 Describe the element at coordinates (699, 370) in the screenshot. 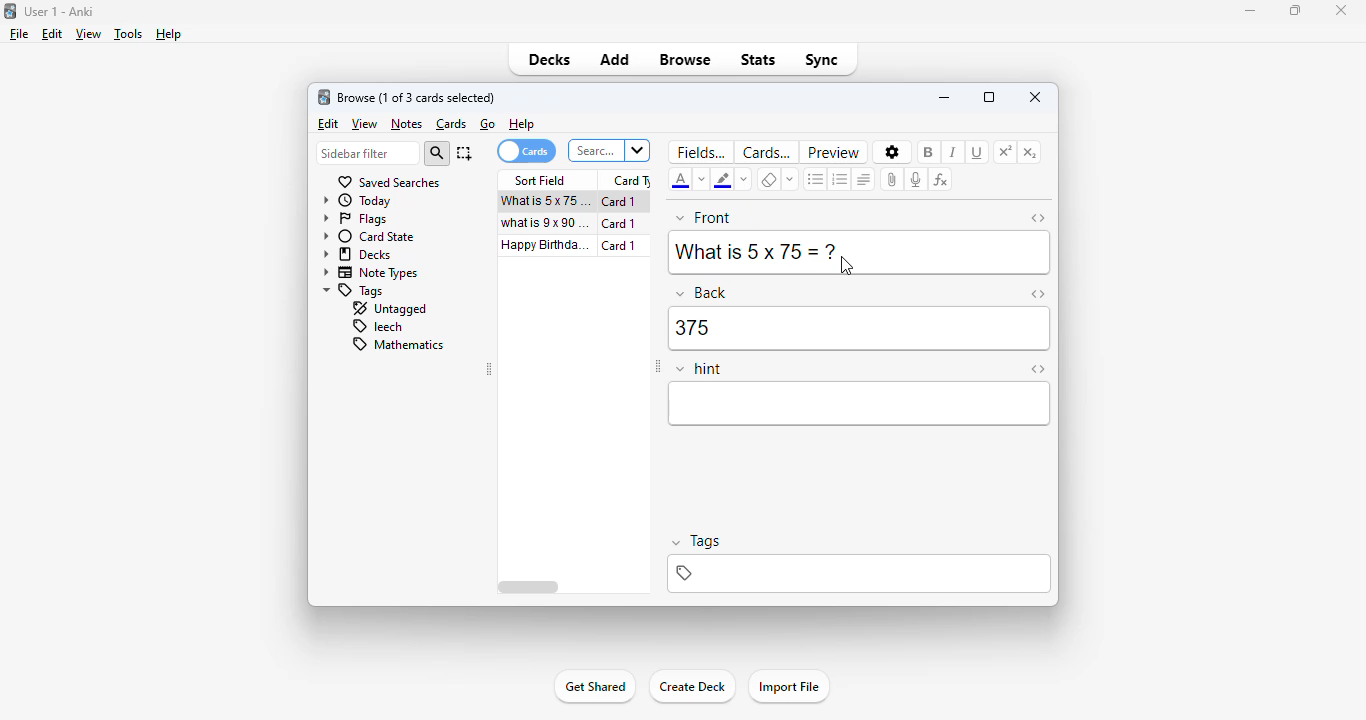

I see `hint` at that location.